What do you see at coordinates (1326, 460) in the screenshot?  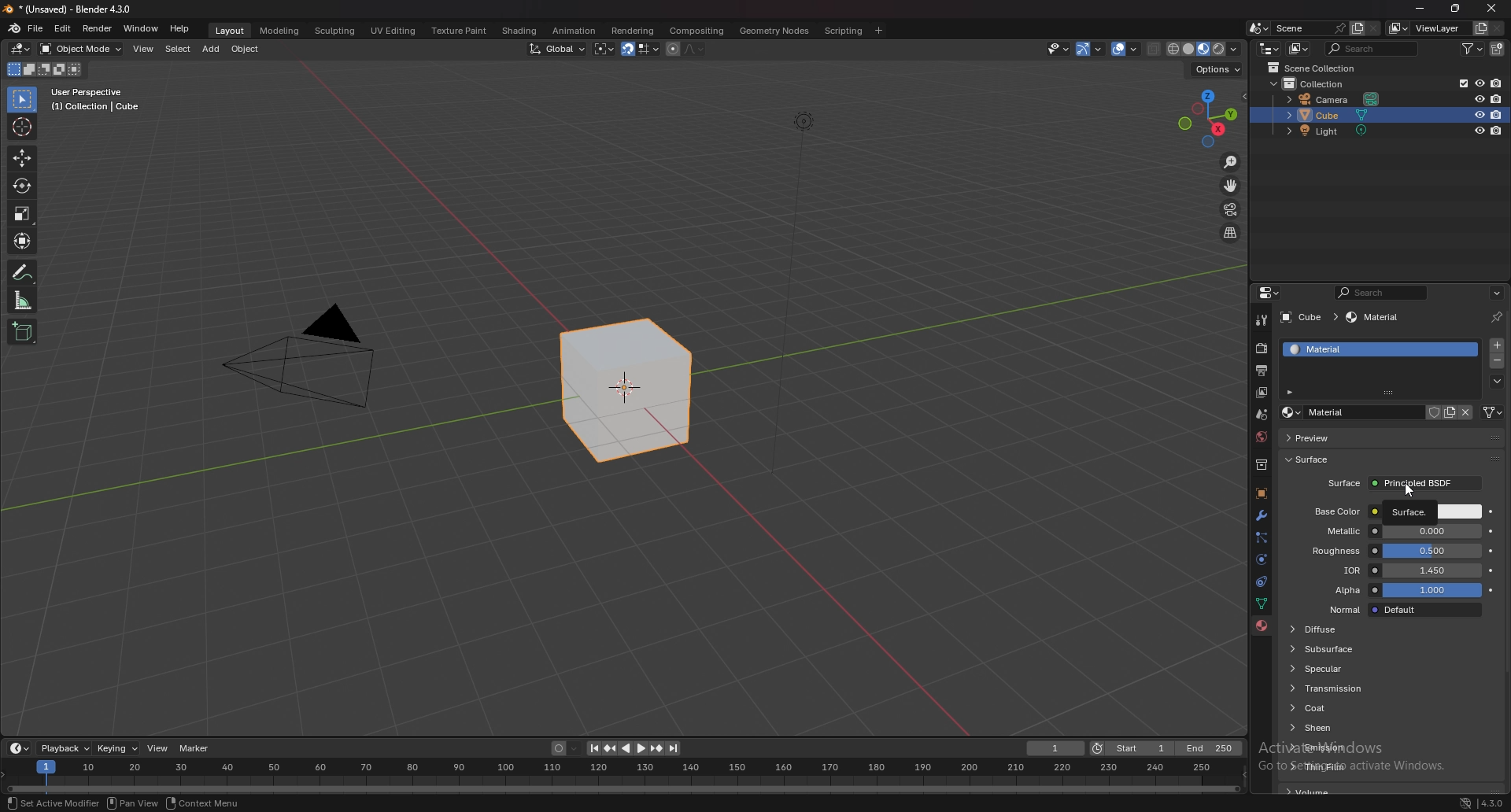 I see `surface` at bounding box center [1326, 460].